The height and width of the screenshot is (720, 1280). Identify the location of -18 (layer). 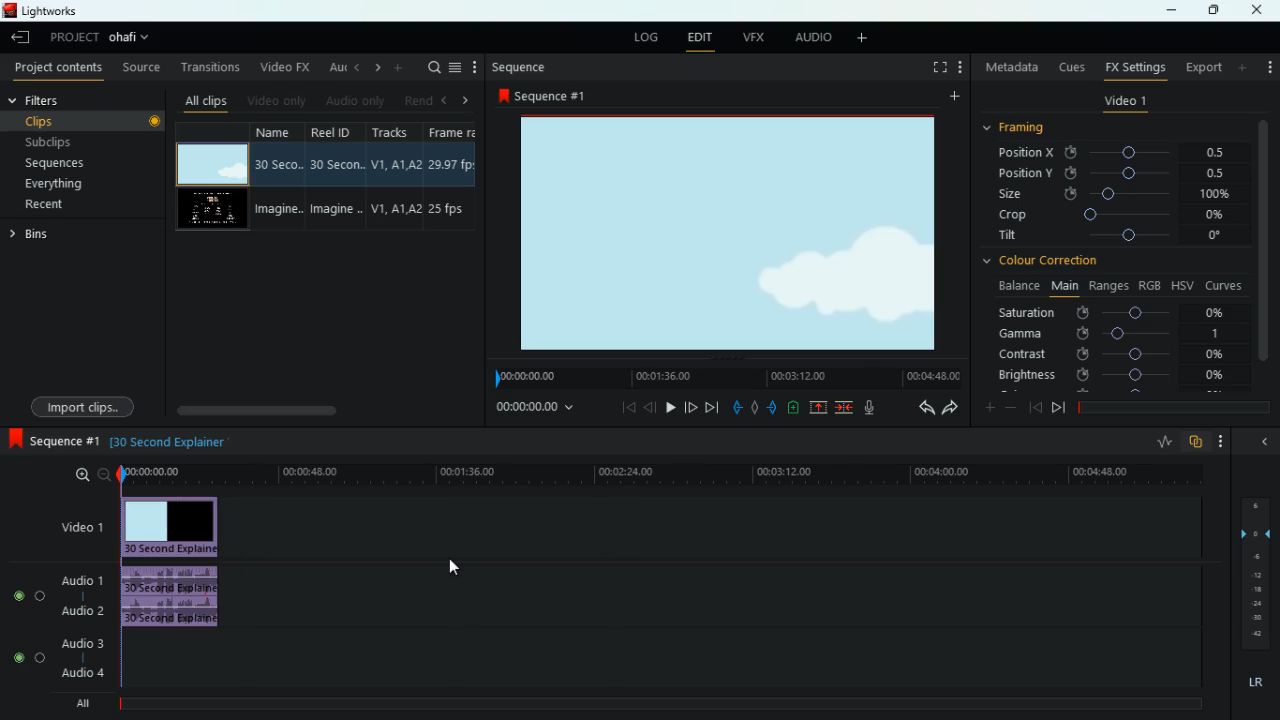
(1257, 590).